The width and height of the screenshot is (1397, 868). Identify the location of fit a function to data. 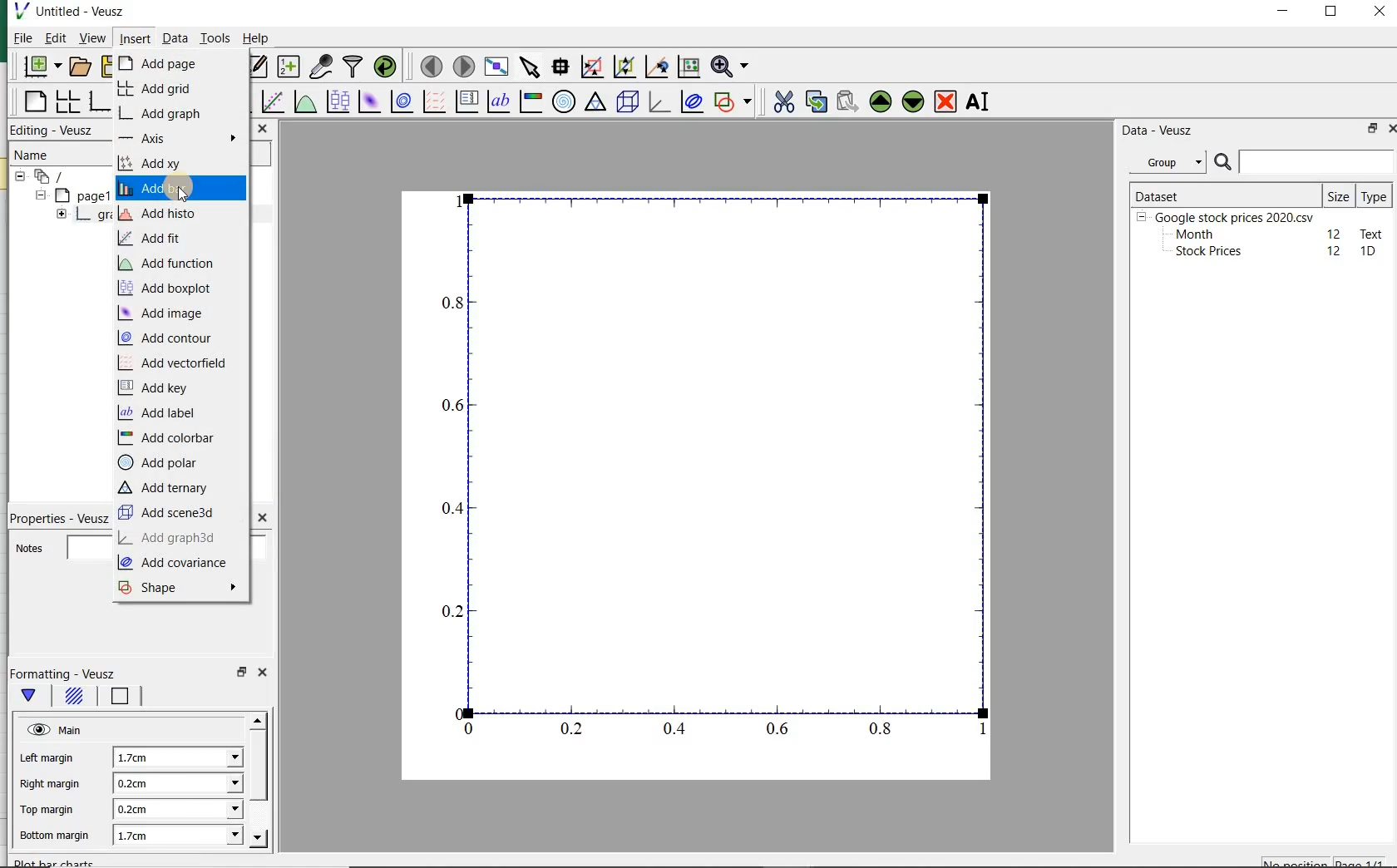
(271, 102).